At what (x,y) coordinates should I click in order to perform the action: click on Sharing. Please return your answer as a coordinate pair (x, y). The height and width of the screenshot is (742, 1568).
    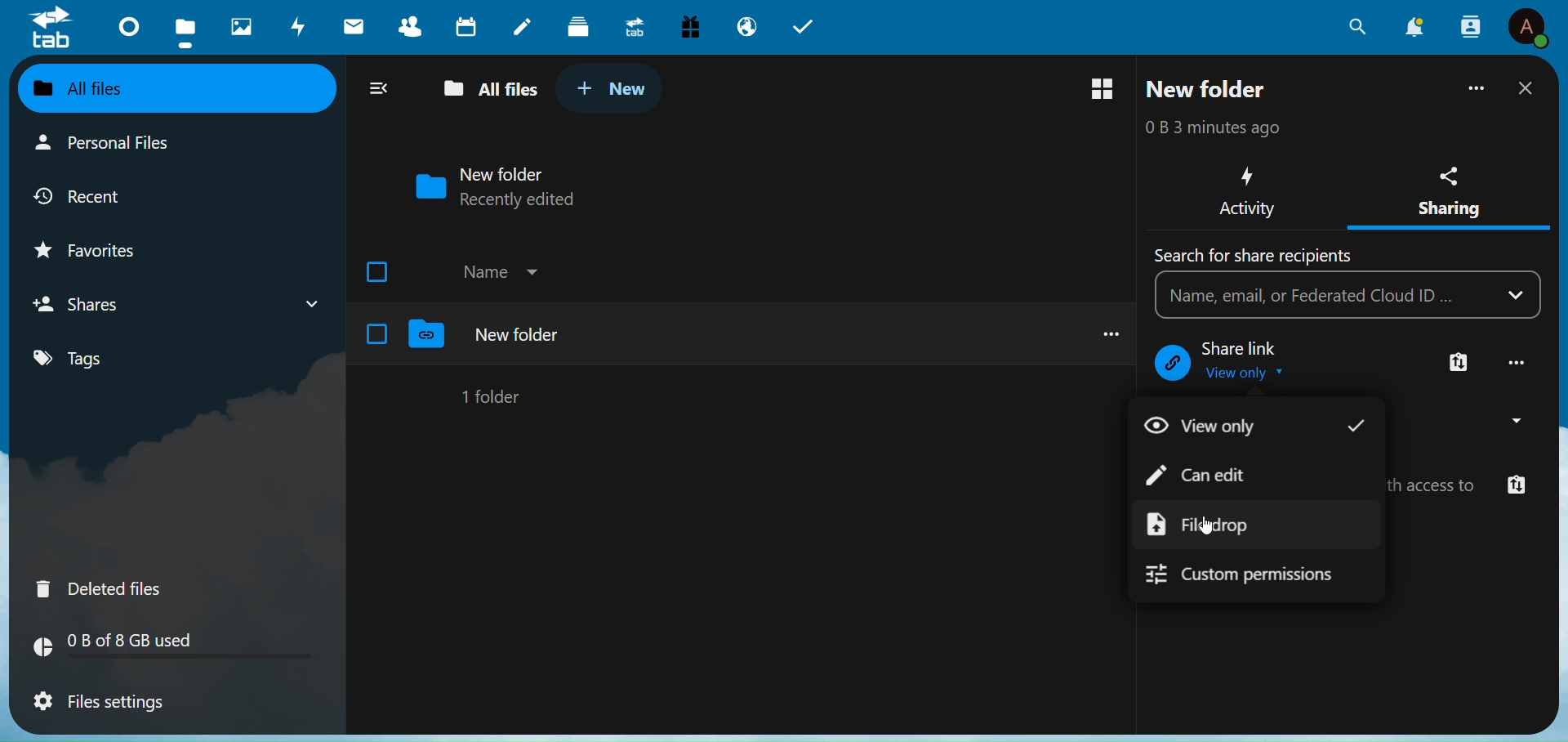
    Looking at the image, I should click on (1450, 185).